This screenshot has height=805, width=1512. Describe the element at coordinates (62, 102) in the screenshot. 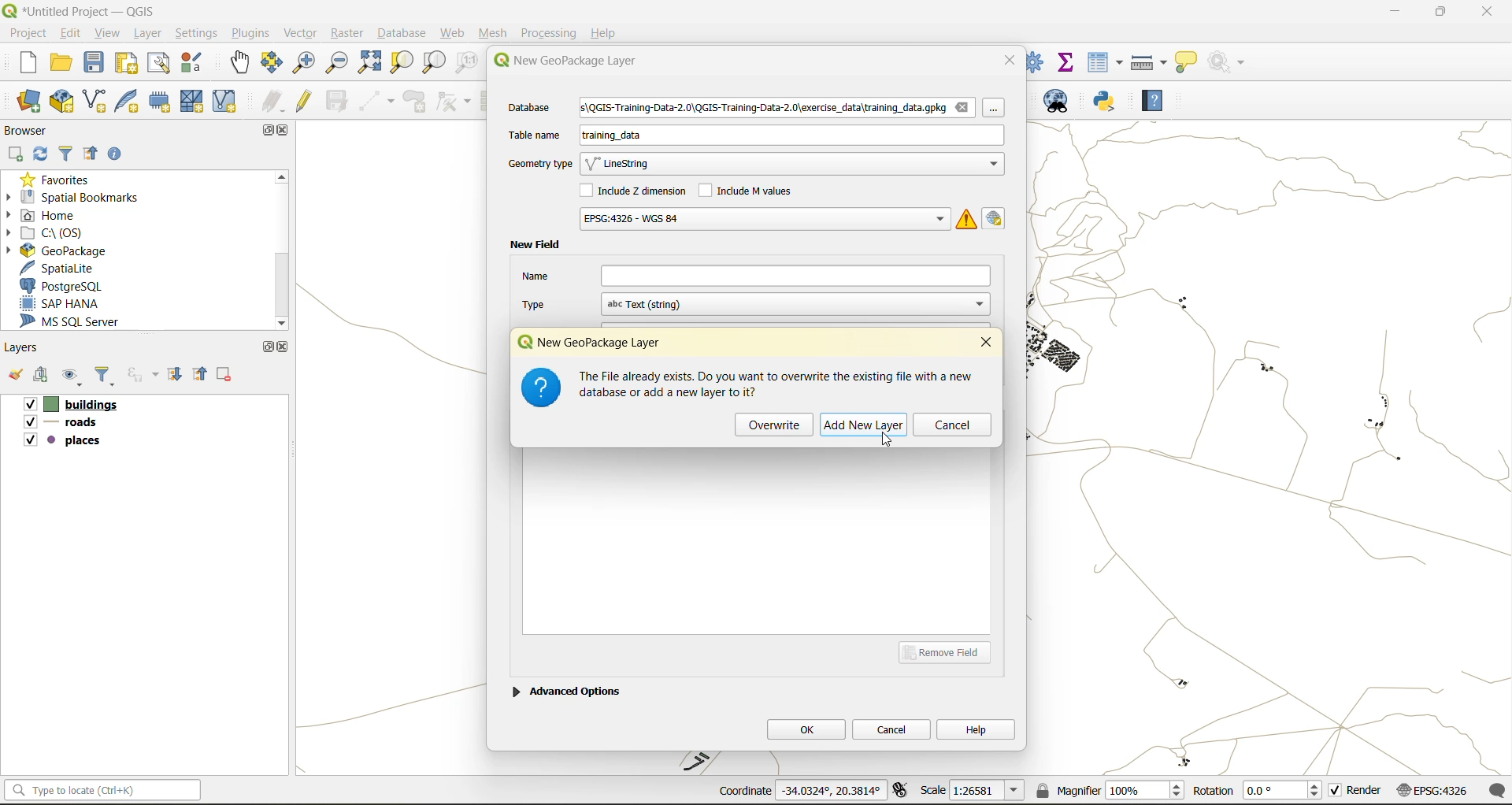

I see `new geopackage ` at that location.